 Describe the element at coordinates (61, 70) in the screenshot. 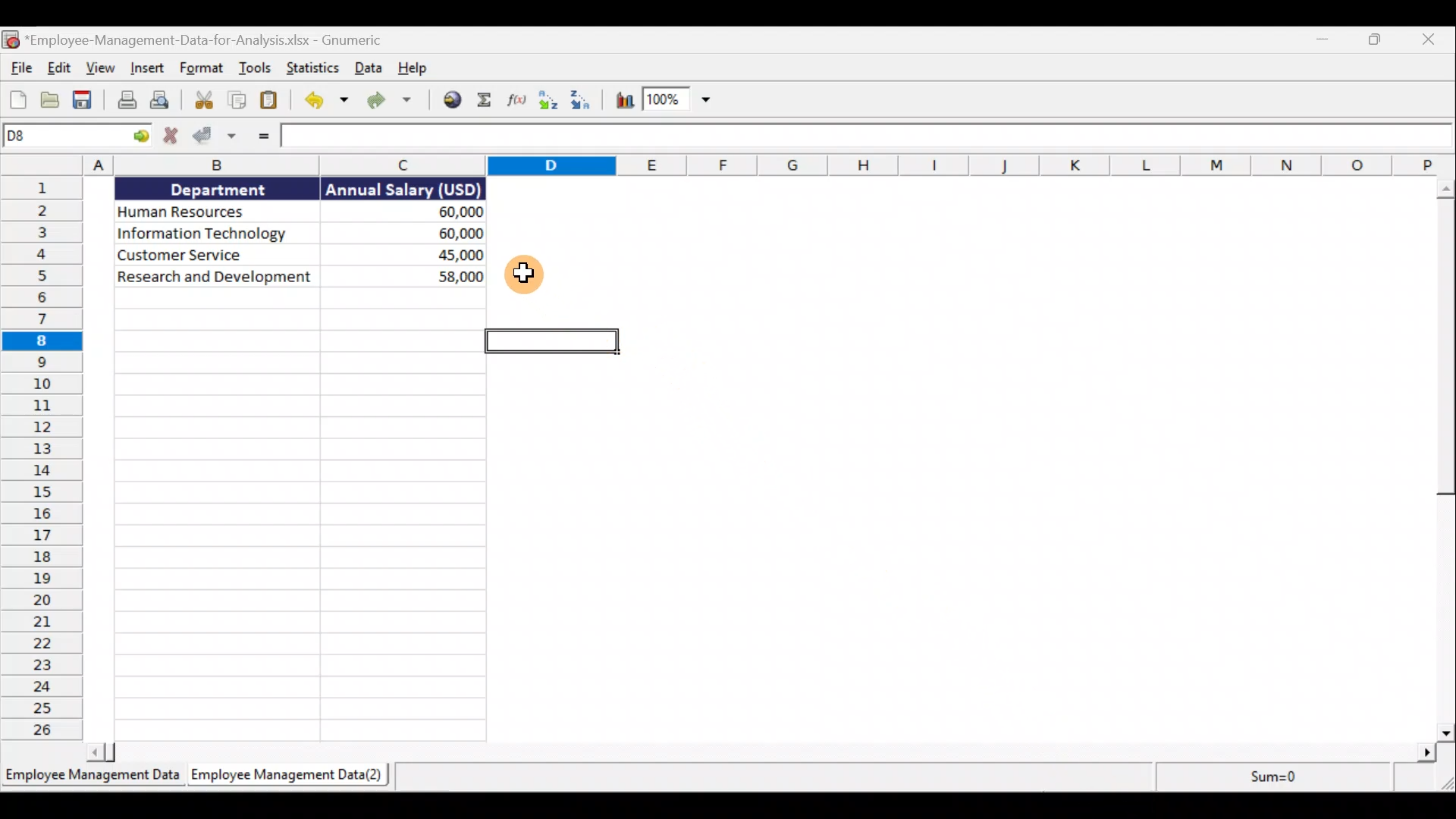

I see `Edit` at that location.